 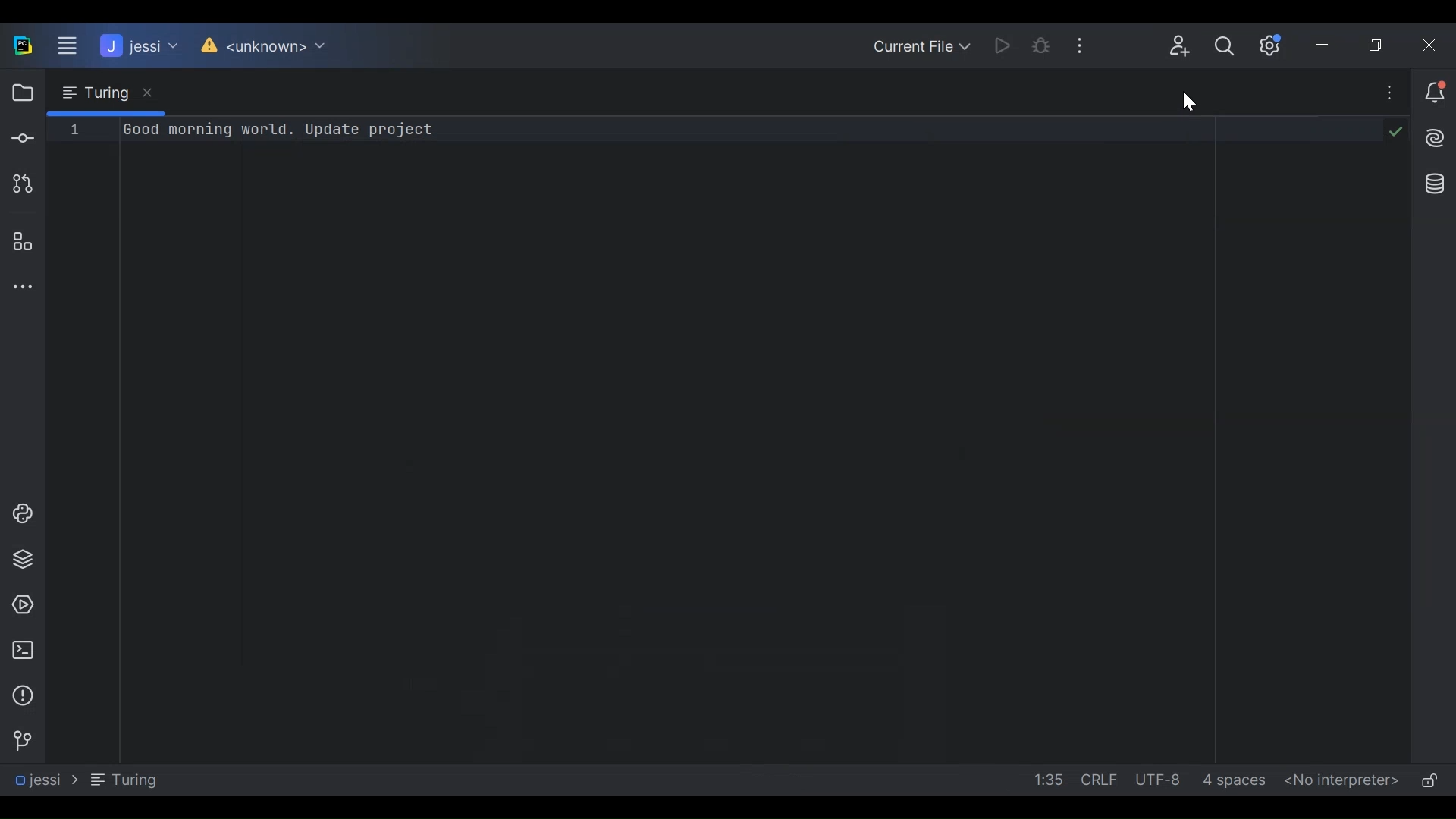 I want to click on Python Packages, so click(x=19, y=561).